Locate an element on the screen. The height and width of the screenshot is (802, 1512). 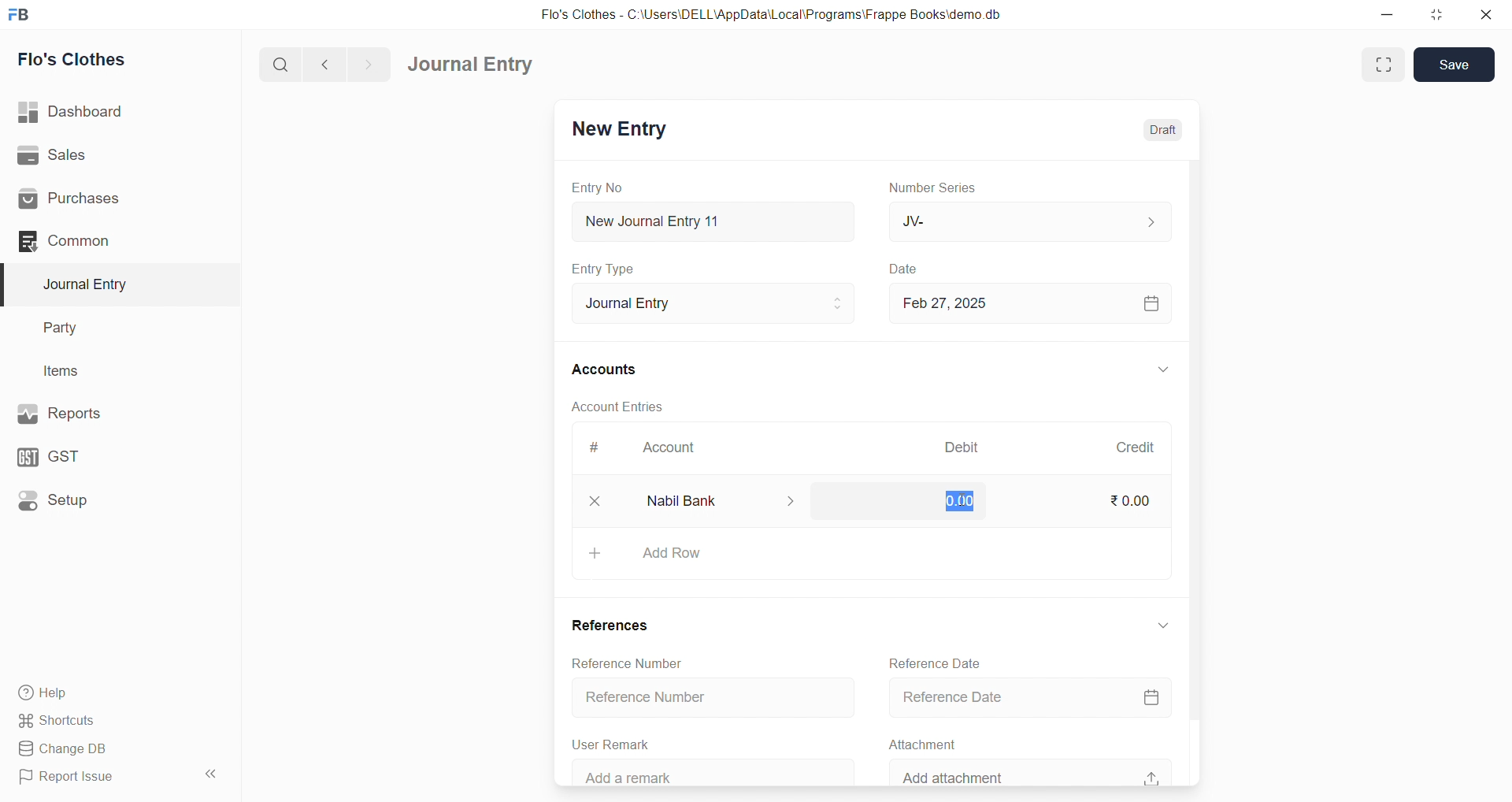
Reference Number is located at coordinates (624, 664).